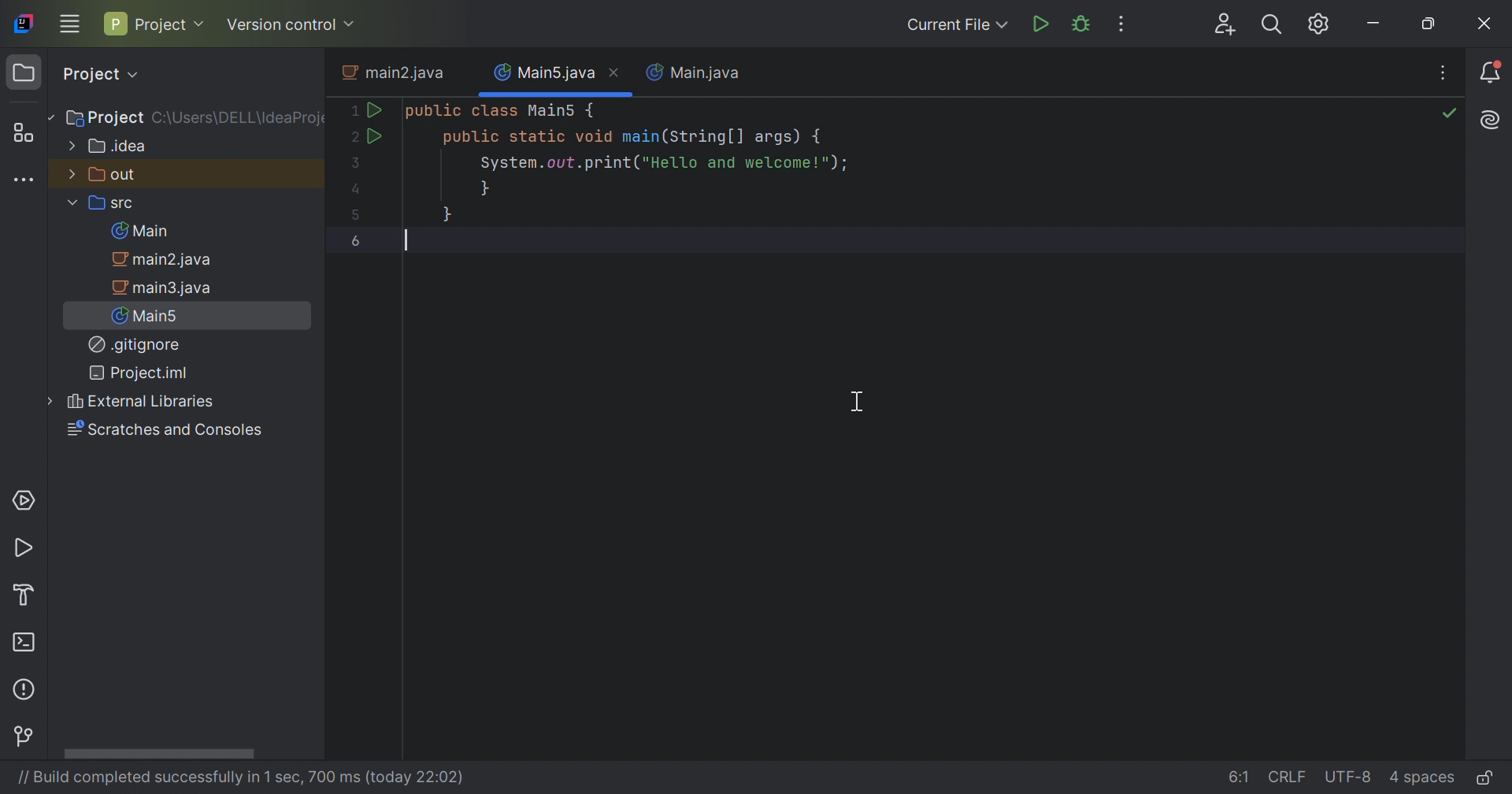  I want to click on line separation: \r\n, so click(1289, 777).